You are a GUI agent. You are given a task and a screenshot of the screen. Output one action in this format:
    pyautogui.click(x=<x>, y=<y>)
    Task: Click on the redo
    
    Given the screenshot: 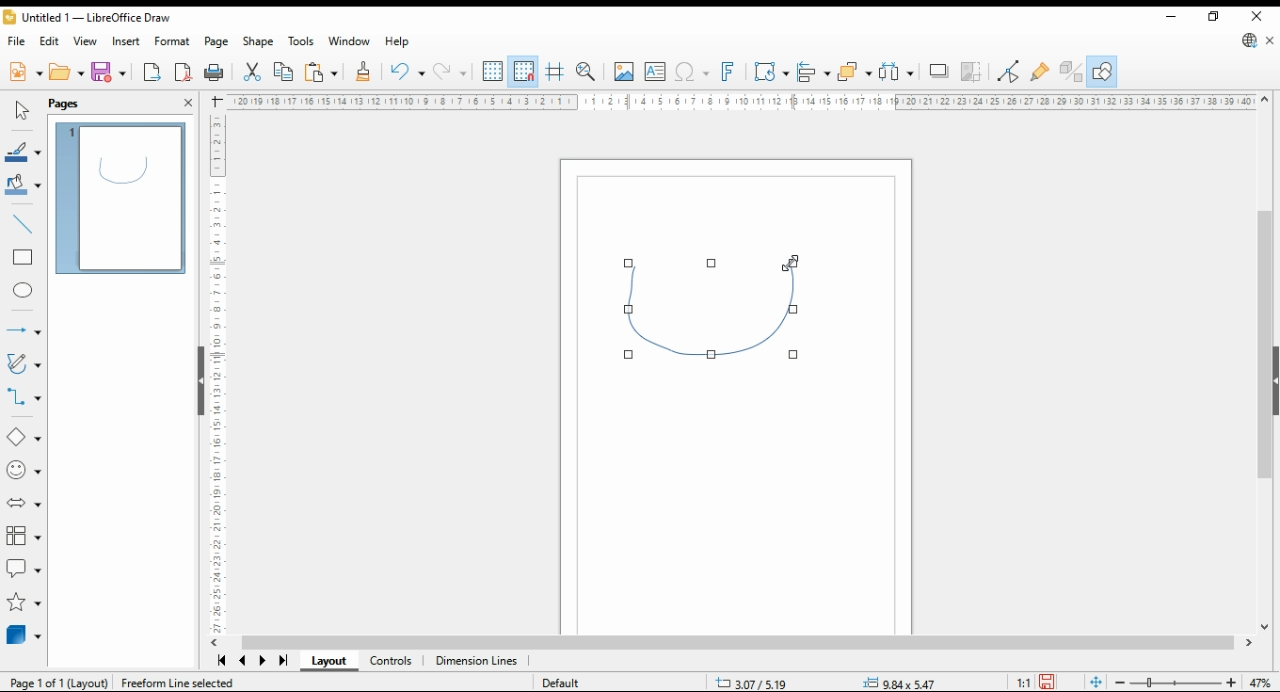 What is the action you would take?
    pyautogui.click(x=449, y=73)
    